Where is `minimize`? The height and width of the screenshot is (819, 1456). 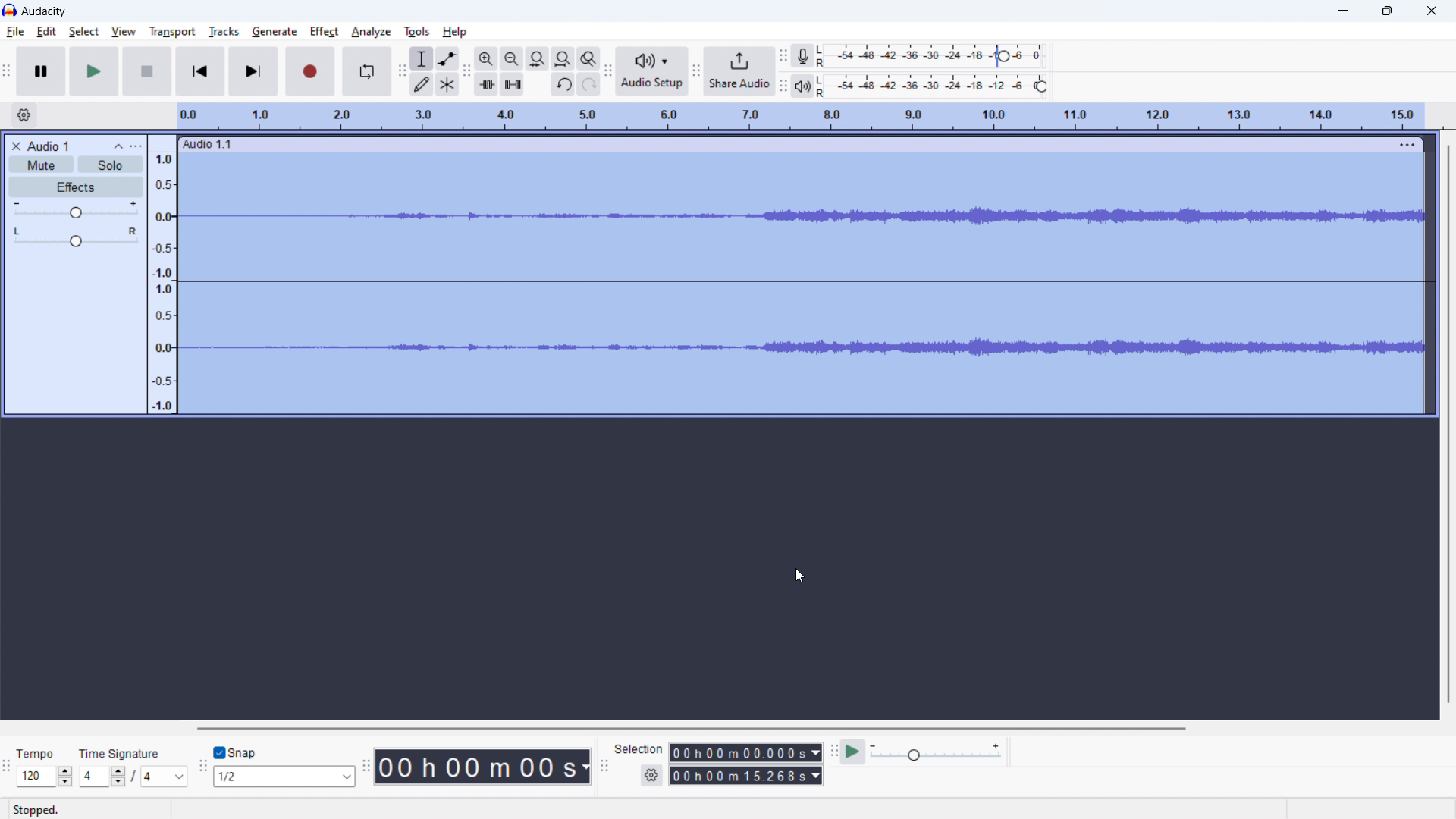
minimize is located at coordinates (1344, 13).